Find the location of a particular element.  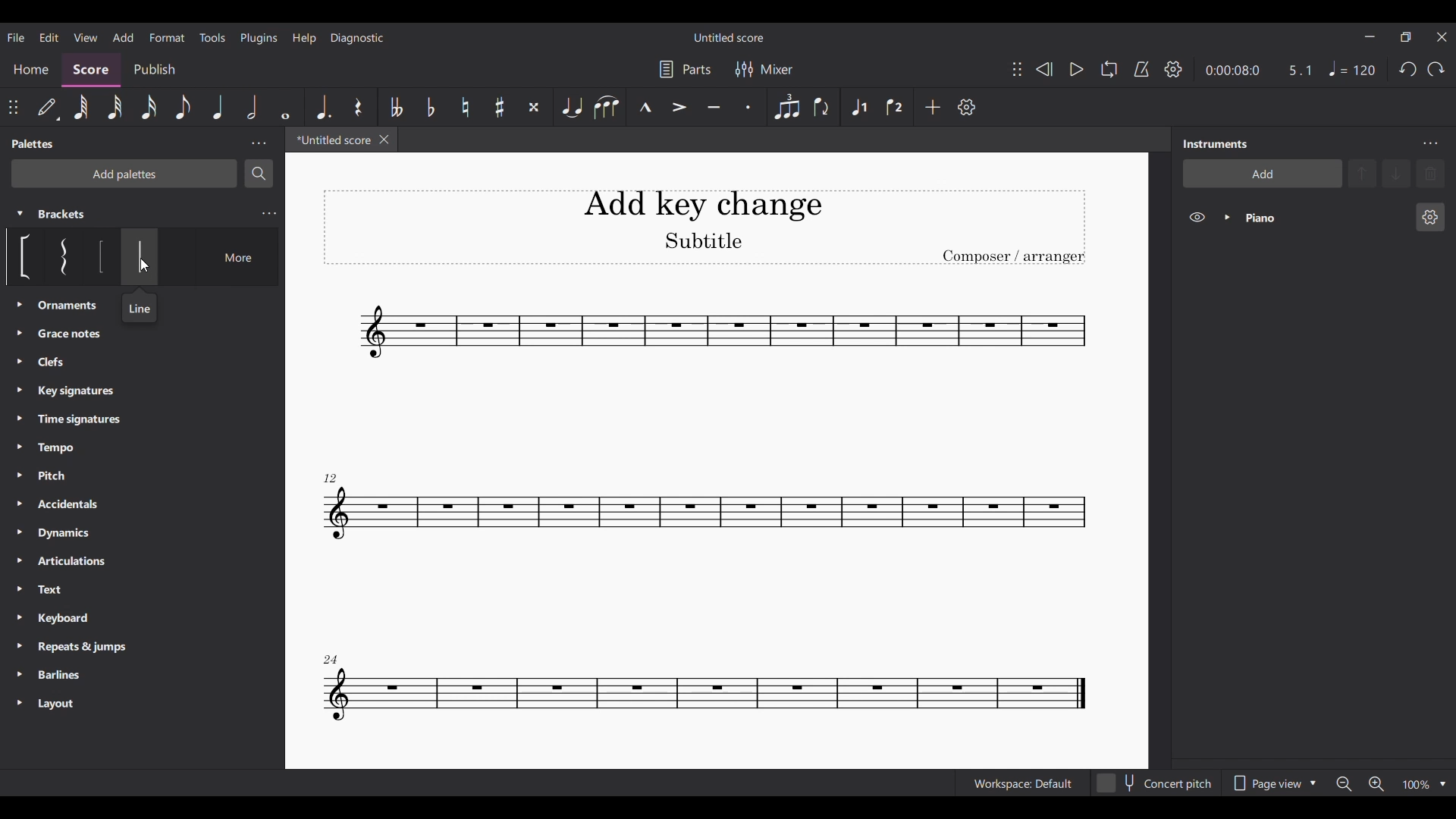

Move above is located at coordinates (1362, 174).